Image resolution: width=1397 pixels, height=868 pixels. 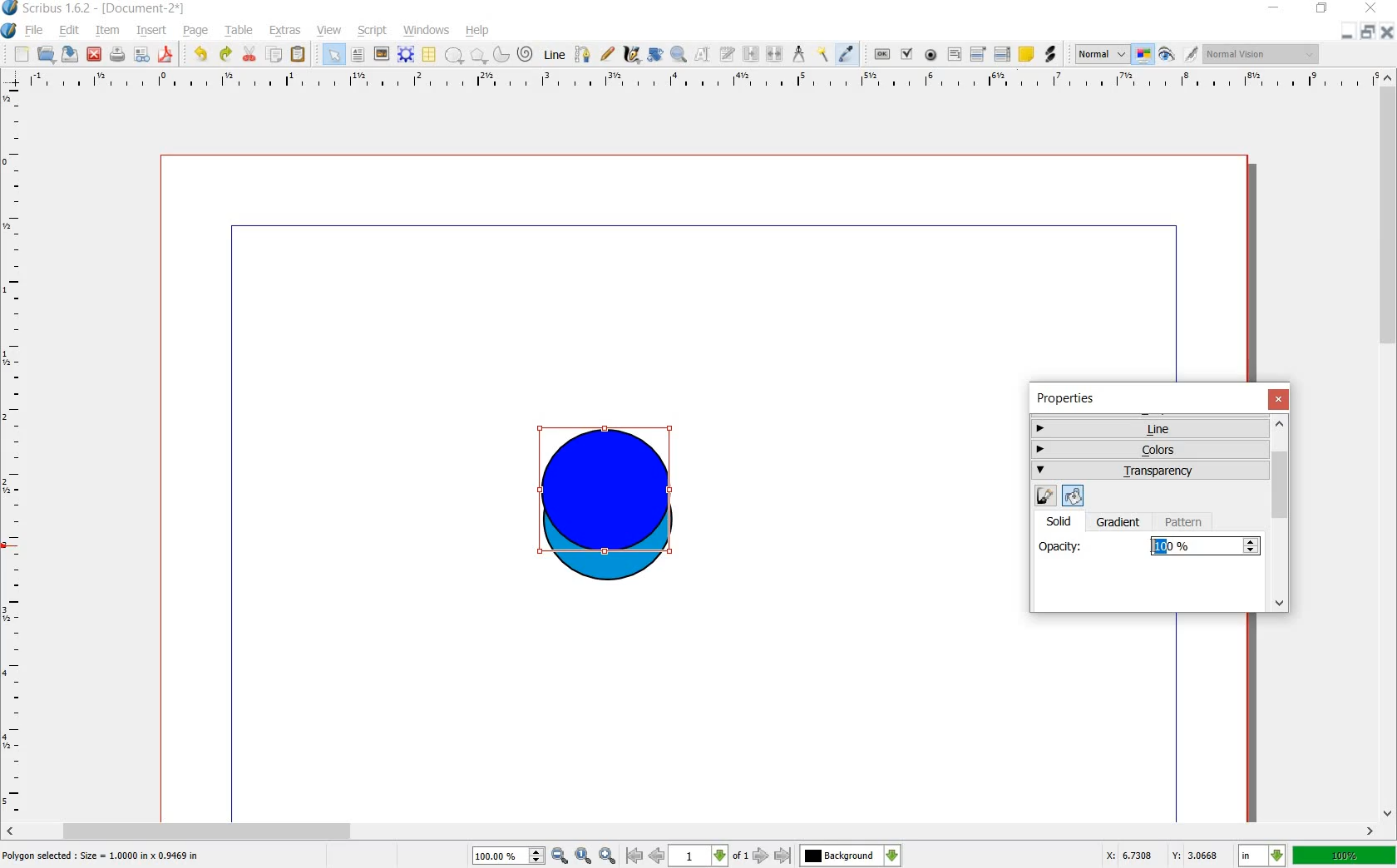 I want to click on zoom in or out, so click(x=679, y=57).